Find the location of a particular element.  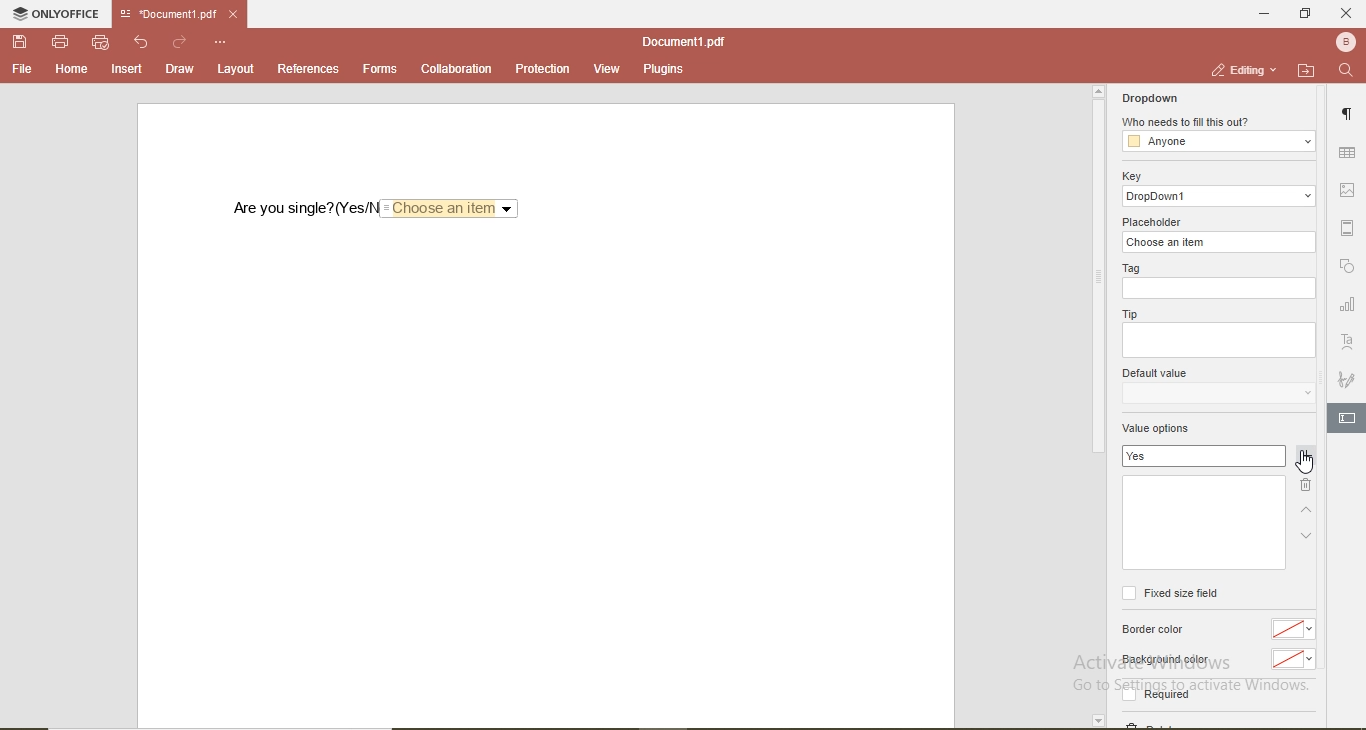

signature is located at coordinates (1348, 377).